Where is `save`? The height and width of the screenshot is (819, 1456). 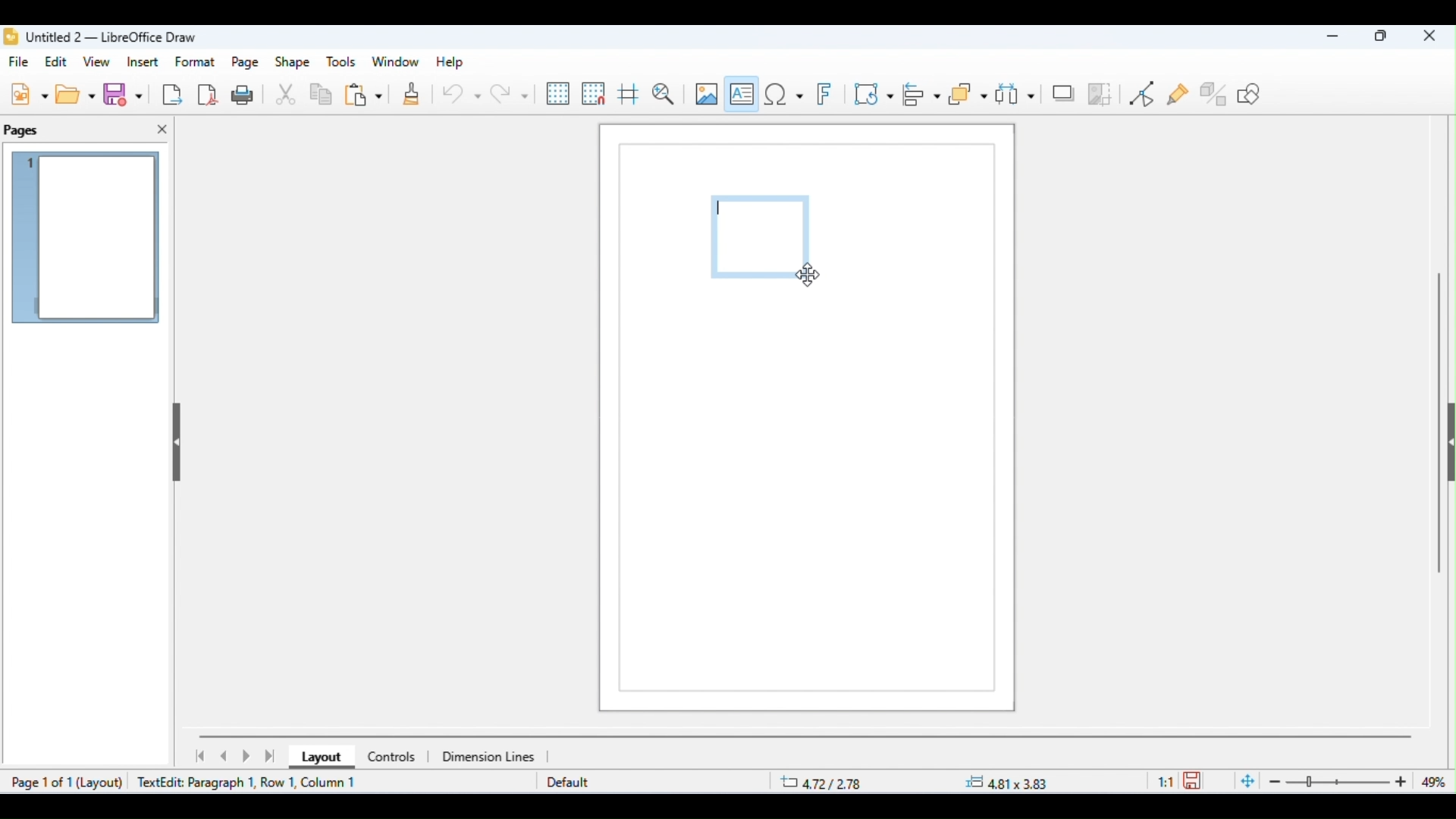
save is located at coordinates (126, 95).